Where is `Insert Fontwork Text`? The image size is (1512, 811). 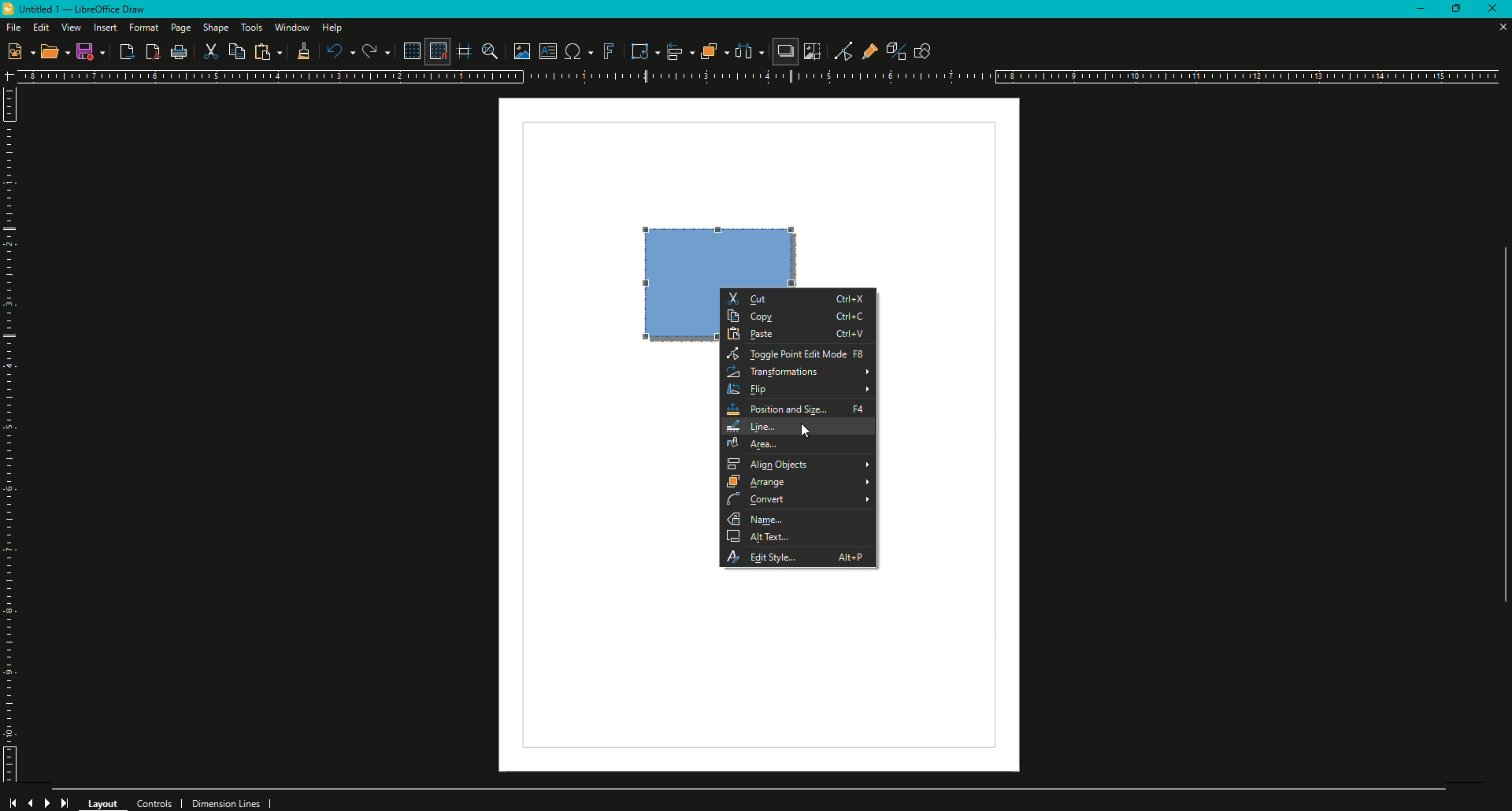 Insert Fontwork Text is located at coordinates (608, 51).